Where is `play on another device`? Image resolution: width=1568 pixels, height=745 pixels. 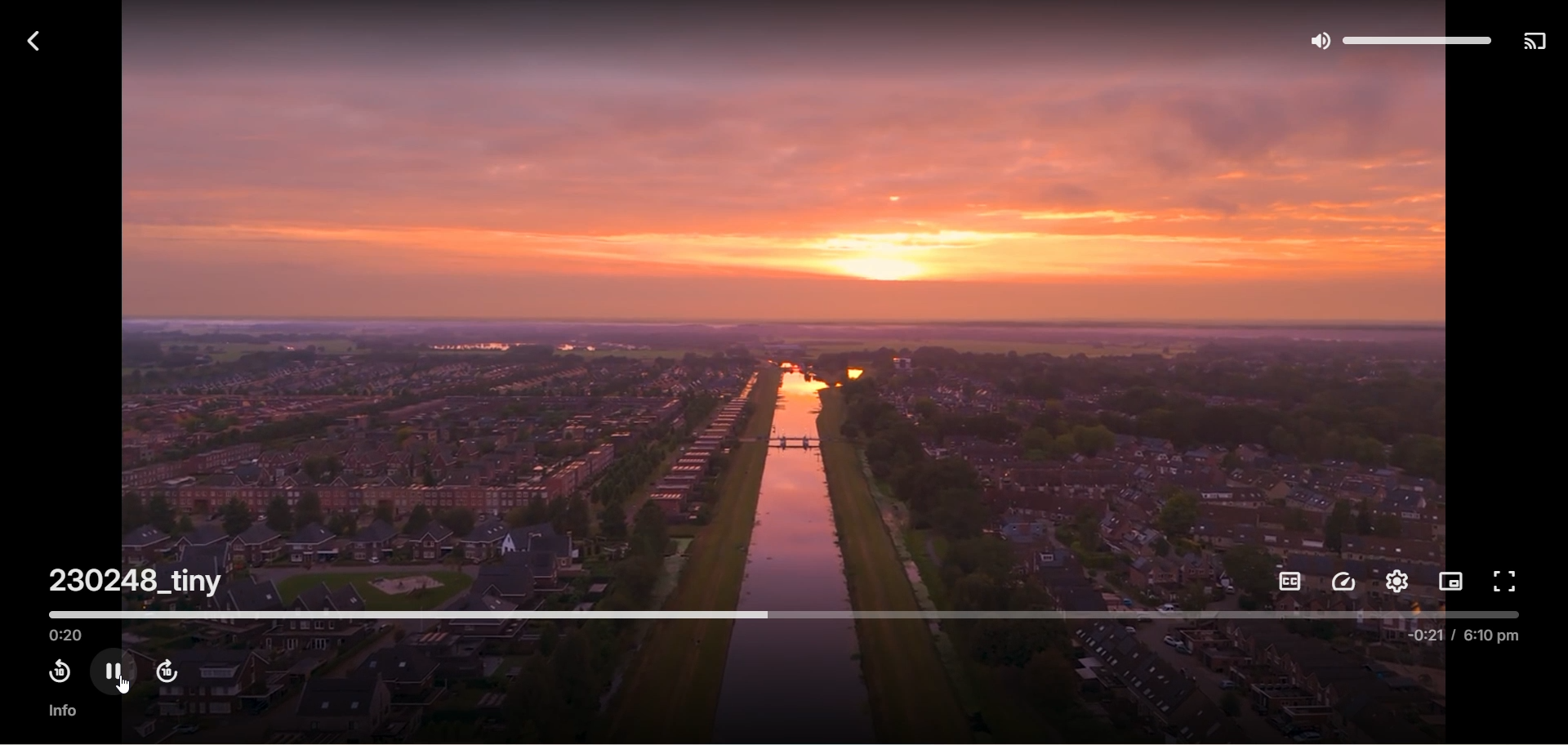 play on another device is located at coordinates (1535, 43).